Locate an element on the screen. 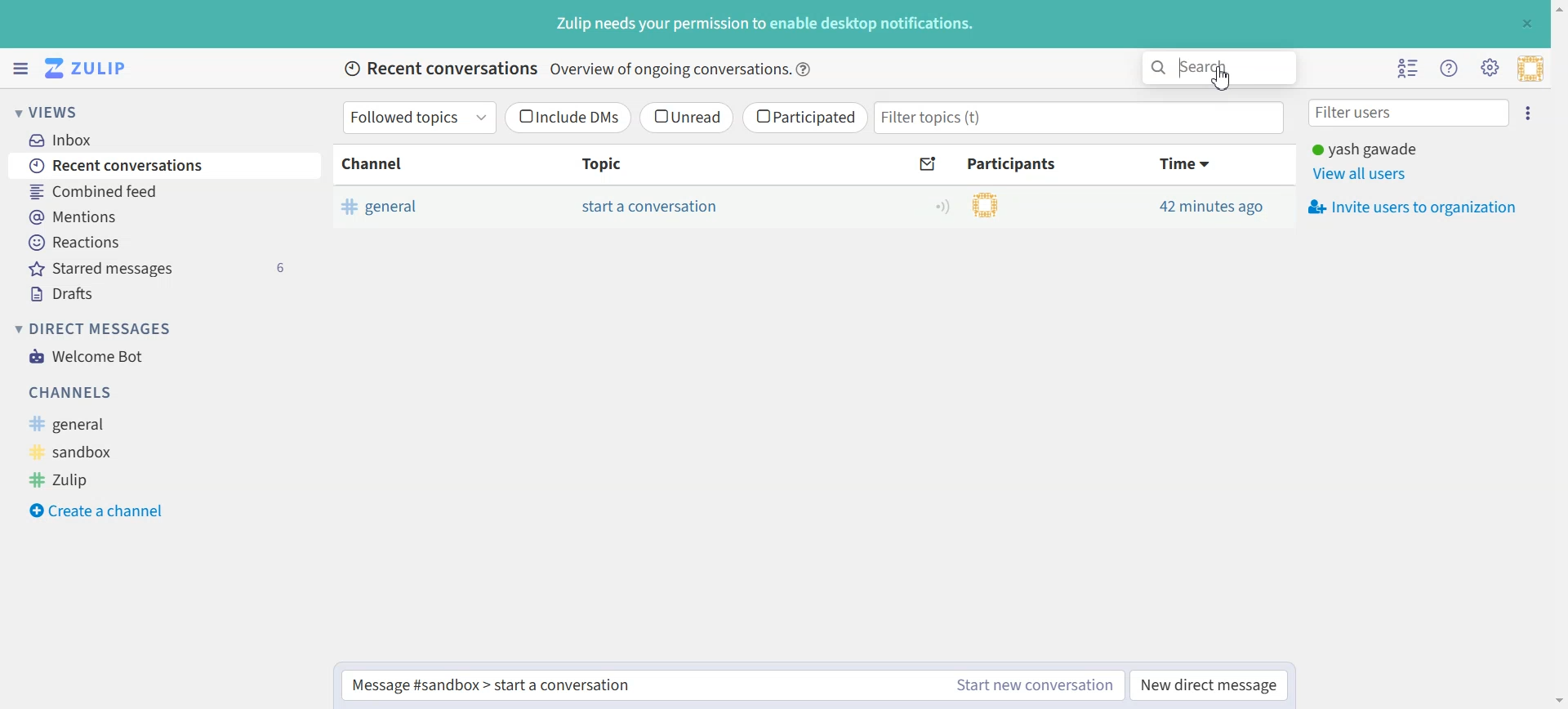 The width and height of the screenshot is (1568, 709). Mentions is located at coordinates (162, 216).